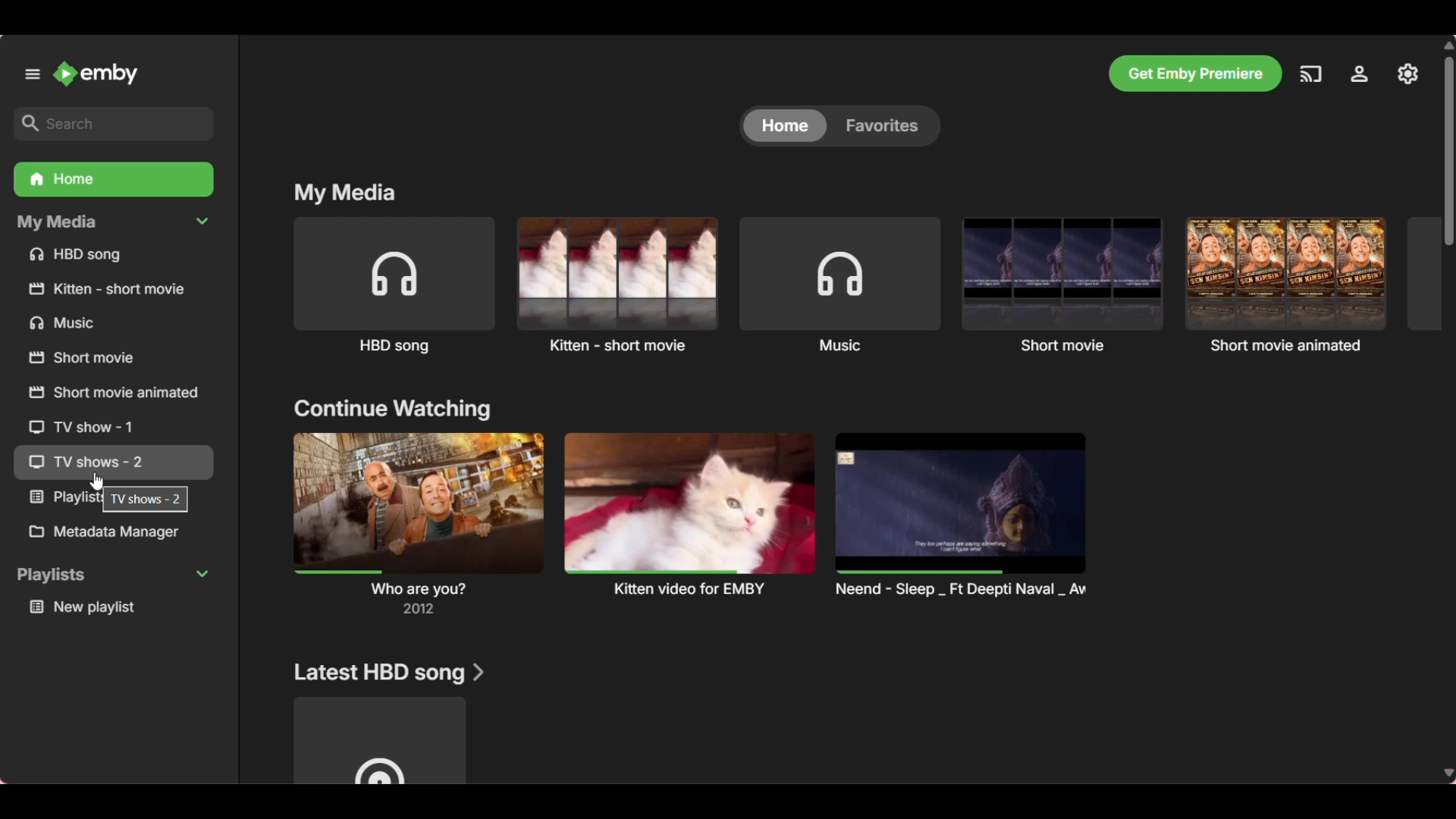 The width and height of the screenshot is (1456, 819). What do you see at coordinates (96, 73) in the screenshot?
I see `Go to home` at bounding box center [96, 73].